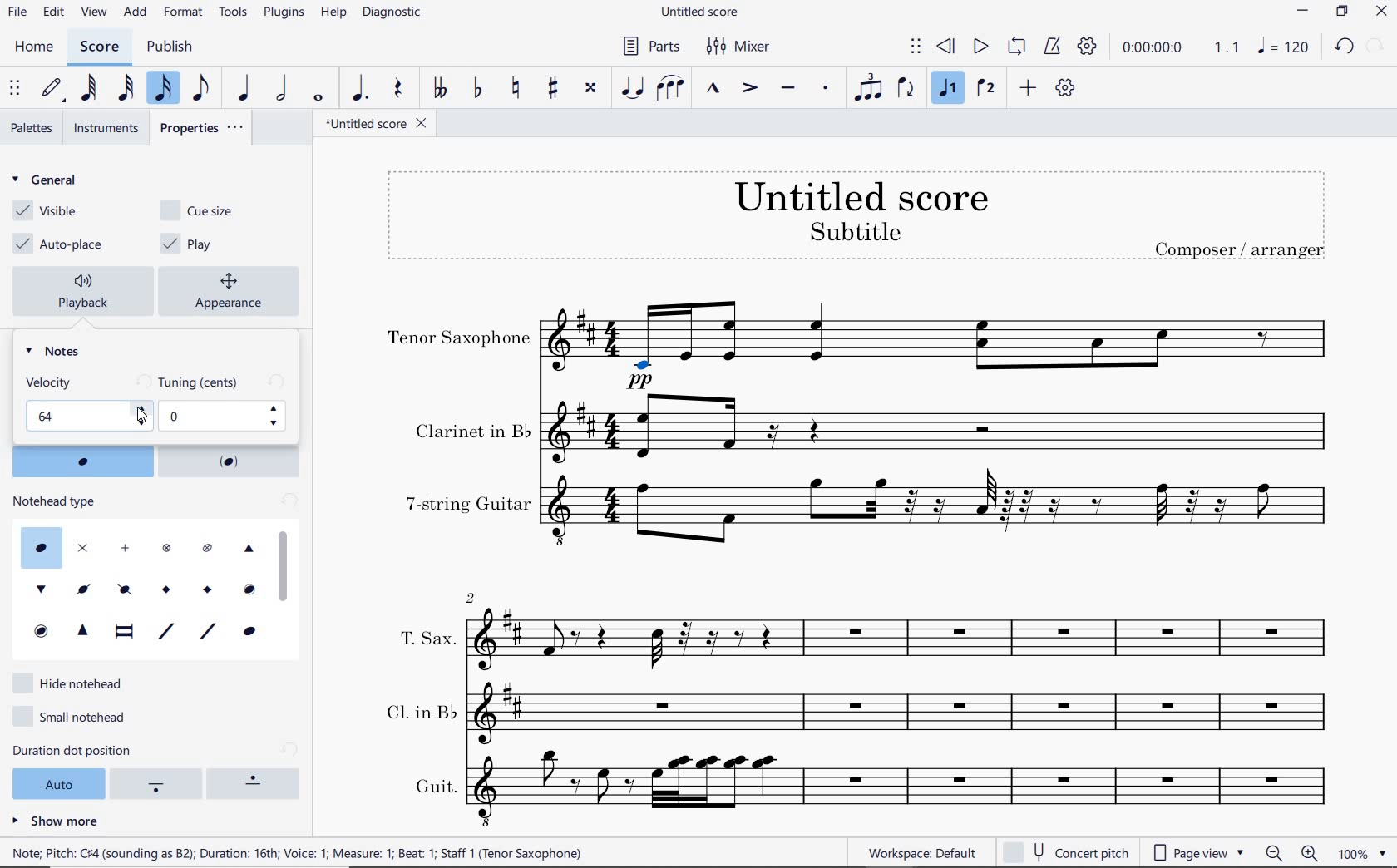 This screenshot has width=1397, height=868. Describe the element at coordinates (52, 382) in the screenshot. I see `text` at that location.